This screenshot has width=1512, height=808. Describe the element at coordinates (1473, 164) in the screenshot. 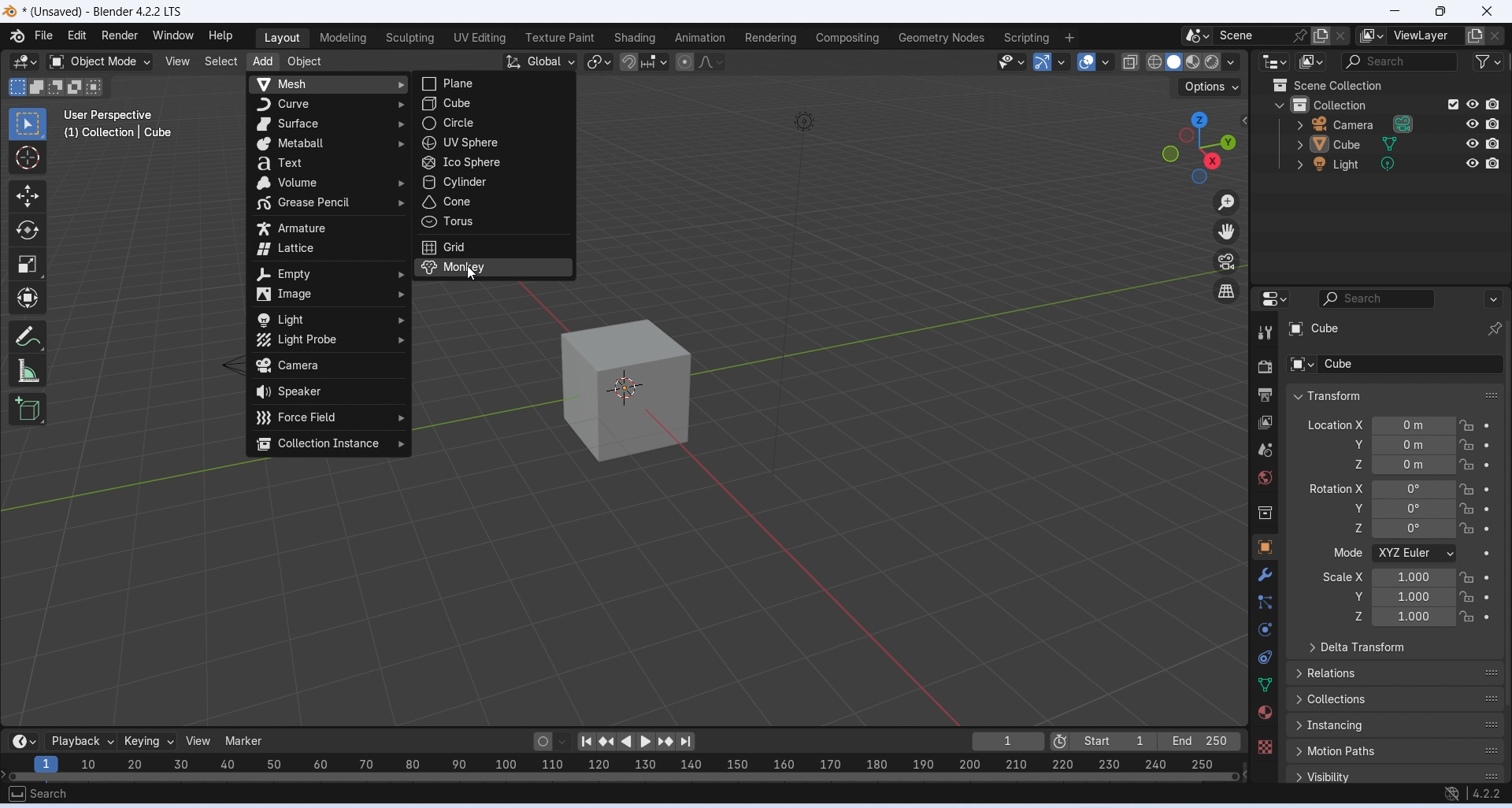

I see `hide in viewport` at that location.